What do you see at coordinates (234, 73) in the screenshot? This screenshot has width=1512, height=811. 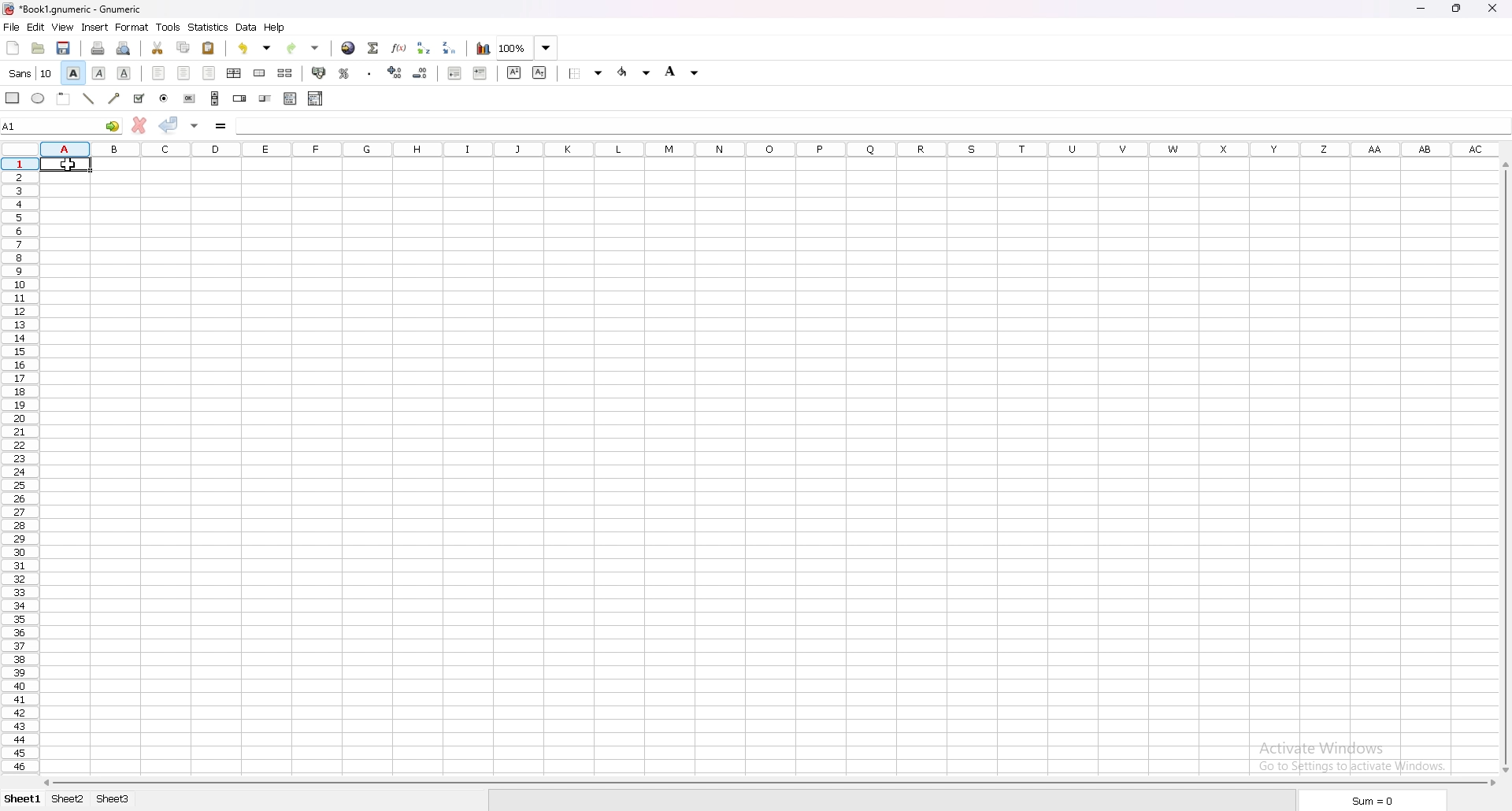 I see `center horizontally` at bounding box center [234, 73].